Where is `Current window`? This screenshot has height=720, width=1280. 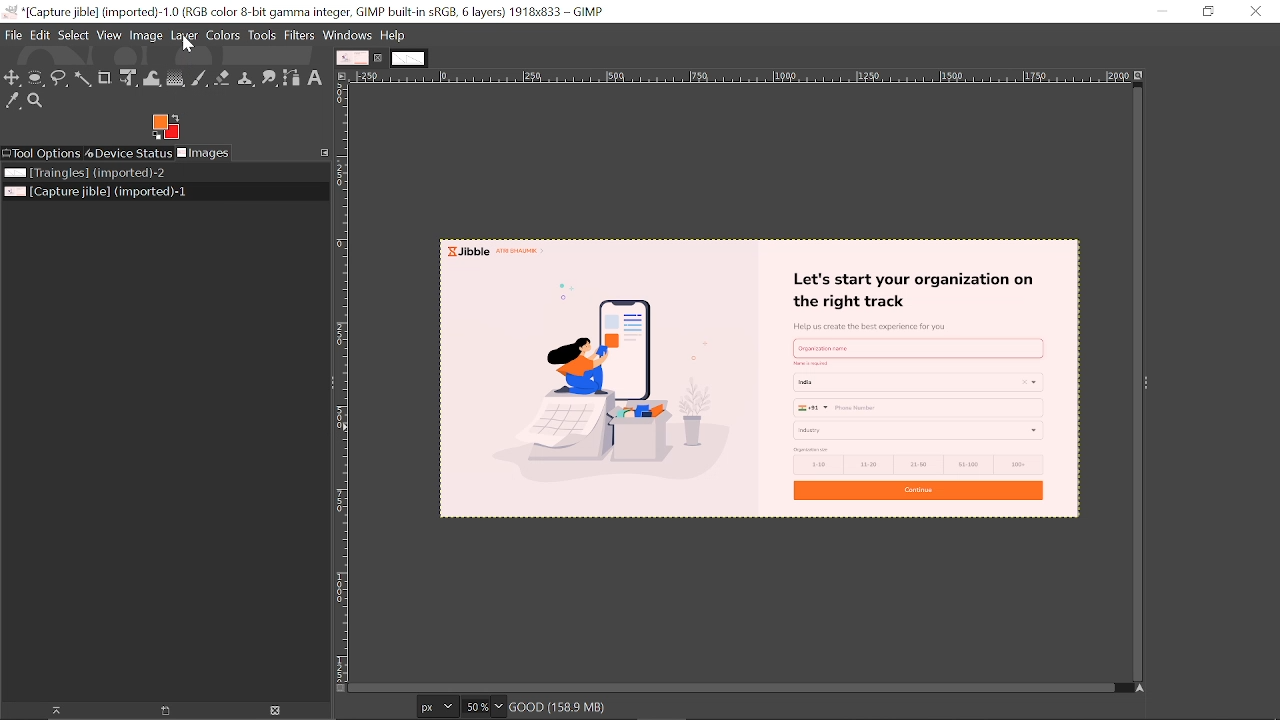 Current window is located at coordinates (316, 18).